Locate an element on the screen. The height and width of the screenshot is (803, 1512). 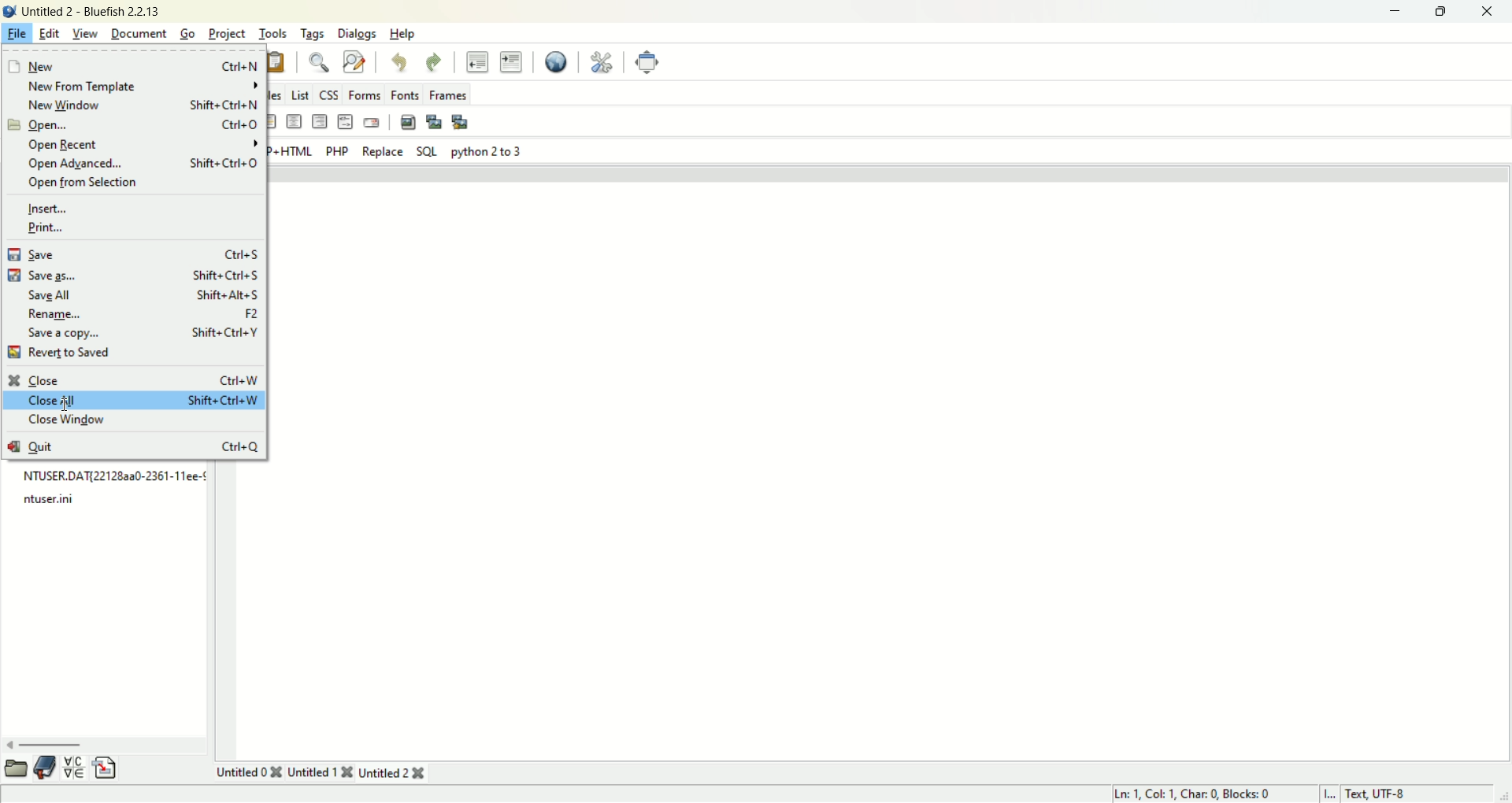
tools is located at coordinates (271, 34).